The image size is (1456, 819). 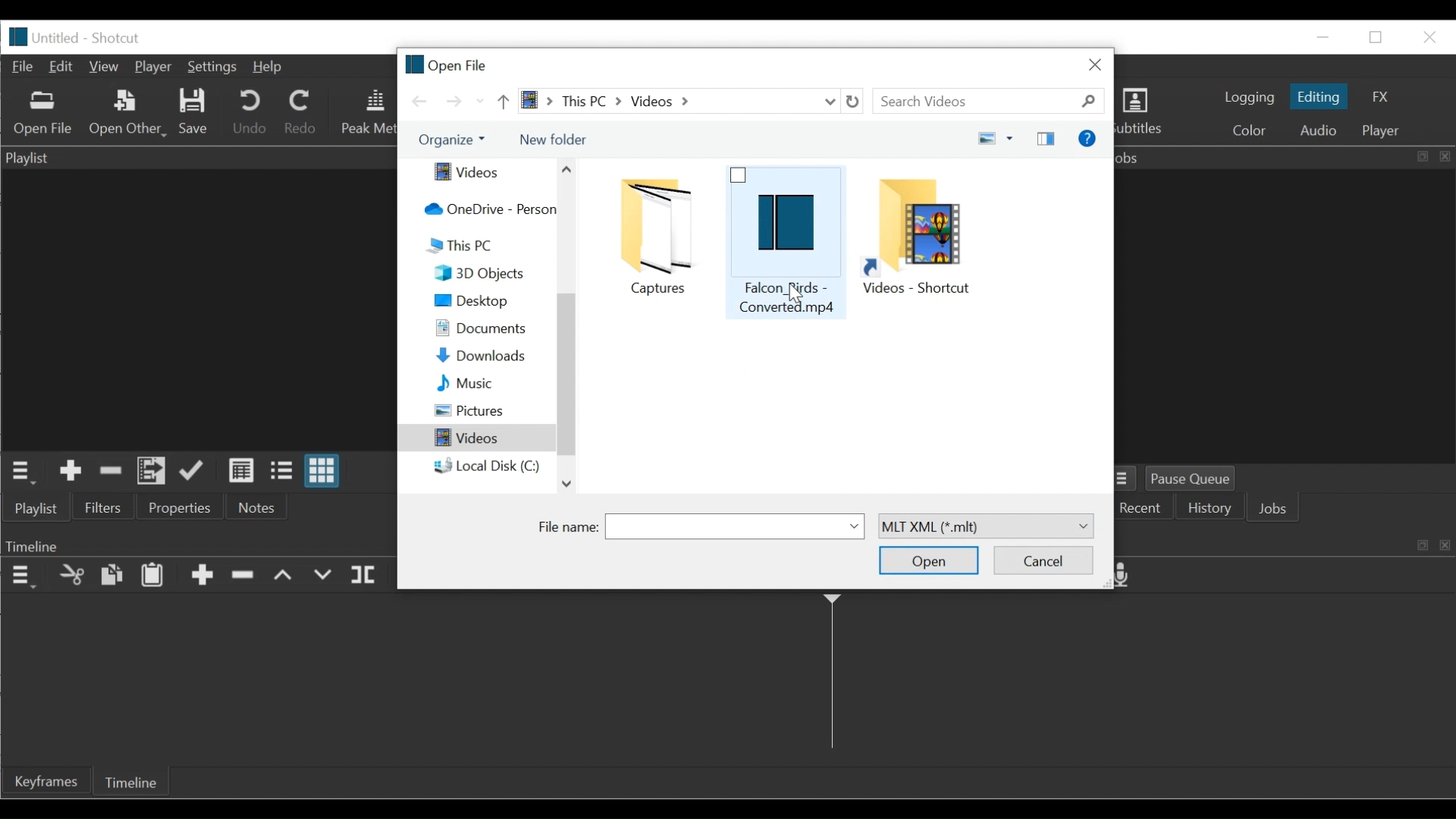 What do you see at coordinates (1319, 96) in the screenshot?
I see `Editing` at bounding box center [1319, 96].